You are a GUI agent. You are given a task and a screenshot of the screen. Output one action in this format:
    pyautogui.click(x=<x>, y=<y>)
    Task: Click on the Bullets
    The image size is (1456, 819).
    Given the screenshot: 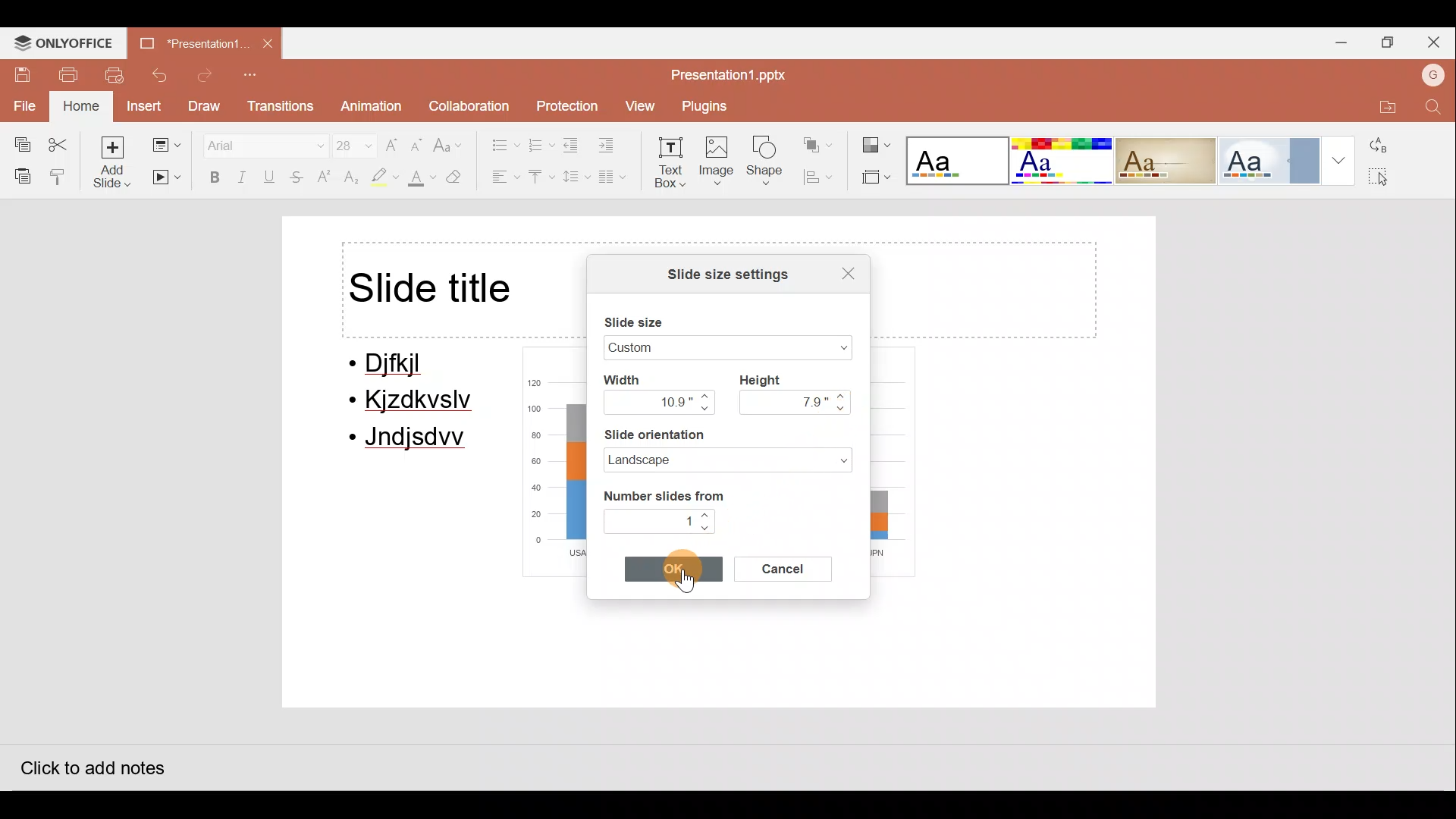 What is the action you would take?
    pyautogui.click(x=497, y=141)
    